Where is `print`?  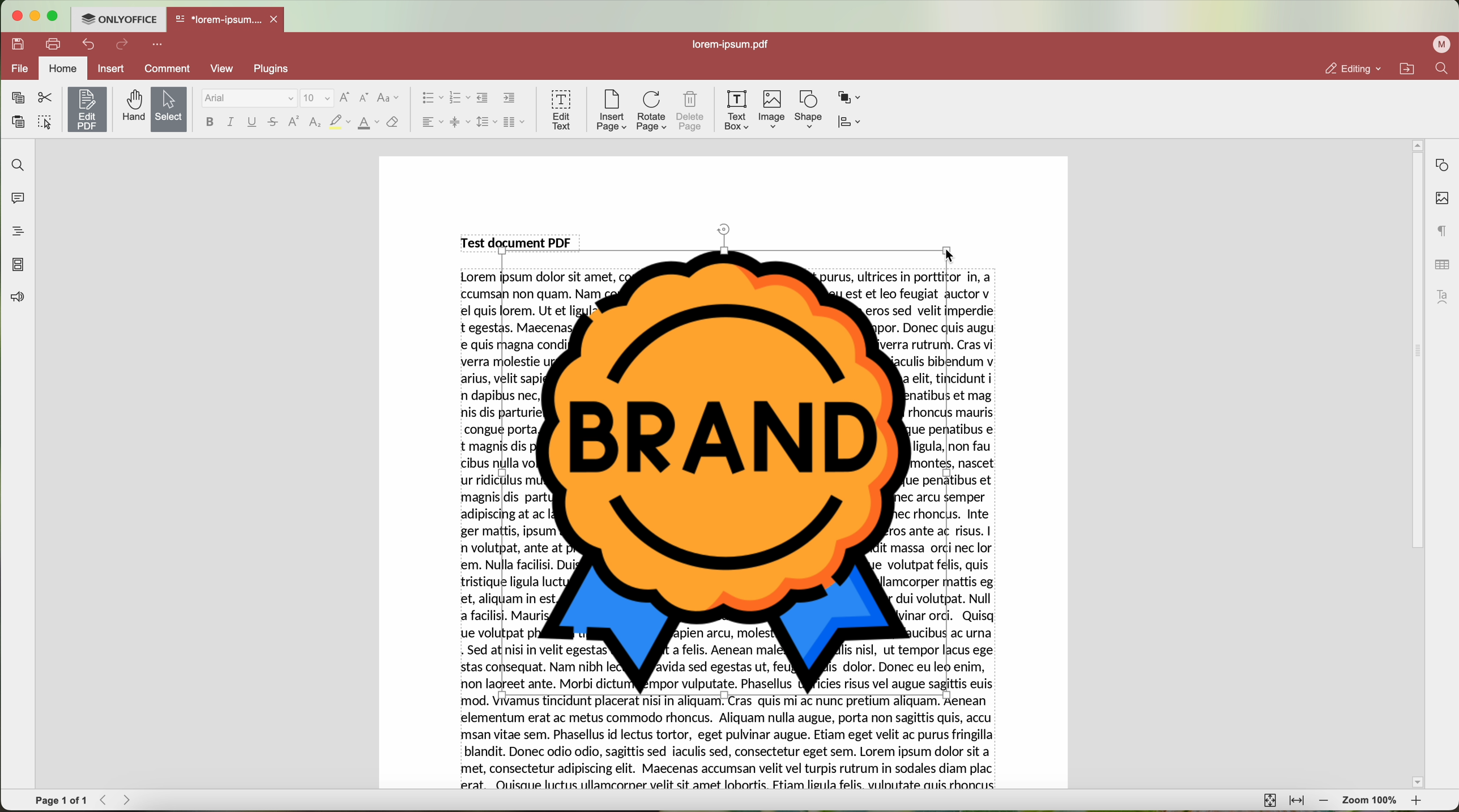
print is located at coordinates (54, 43).